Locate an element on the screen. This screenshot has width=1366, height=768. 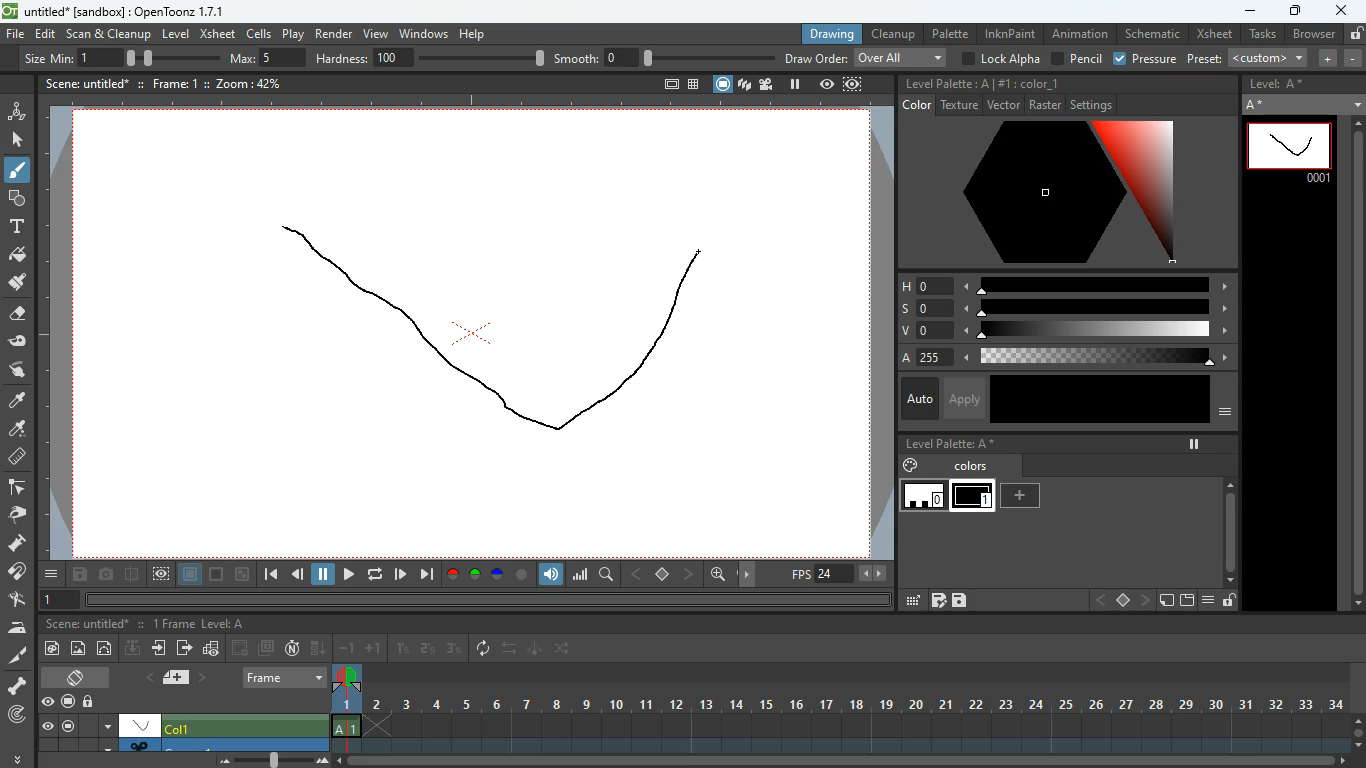
graph is located at coordinates (580, 574).